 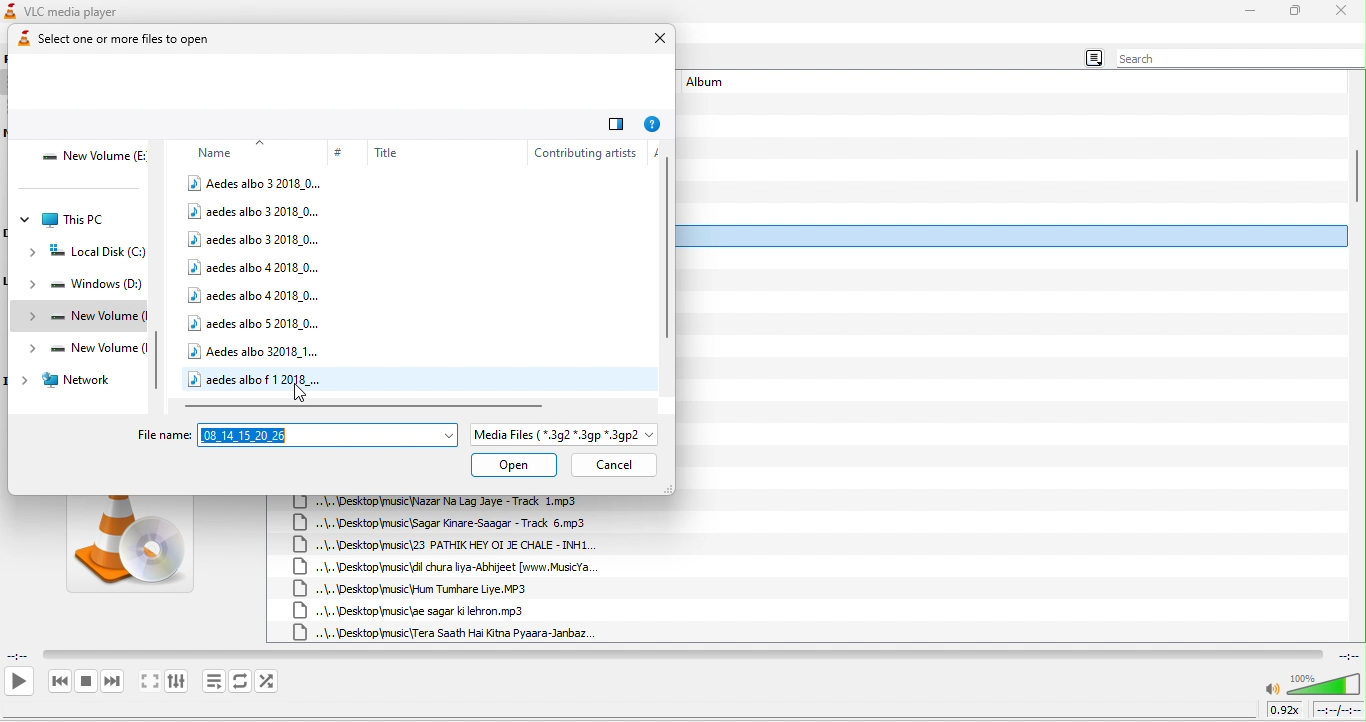 I want to click on contributing artists, so click(x=584, y=151).